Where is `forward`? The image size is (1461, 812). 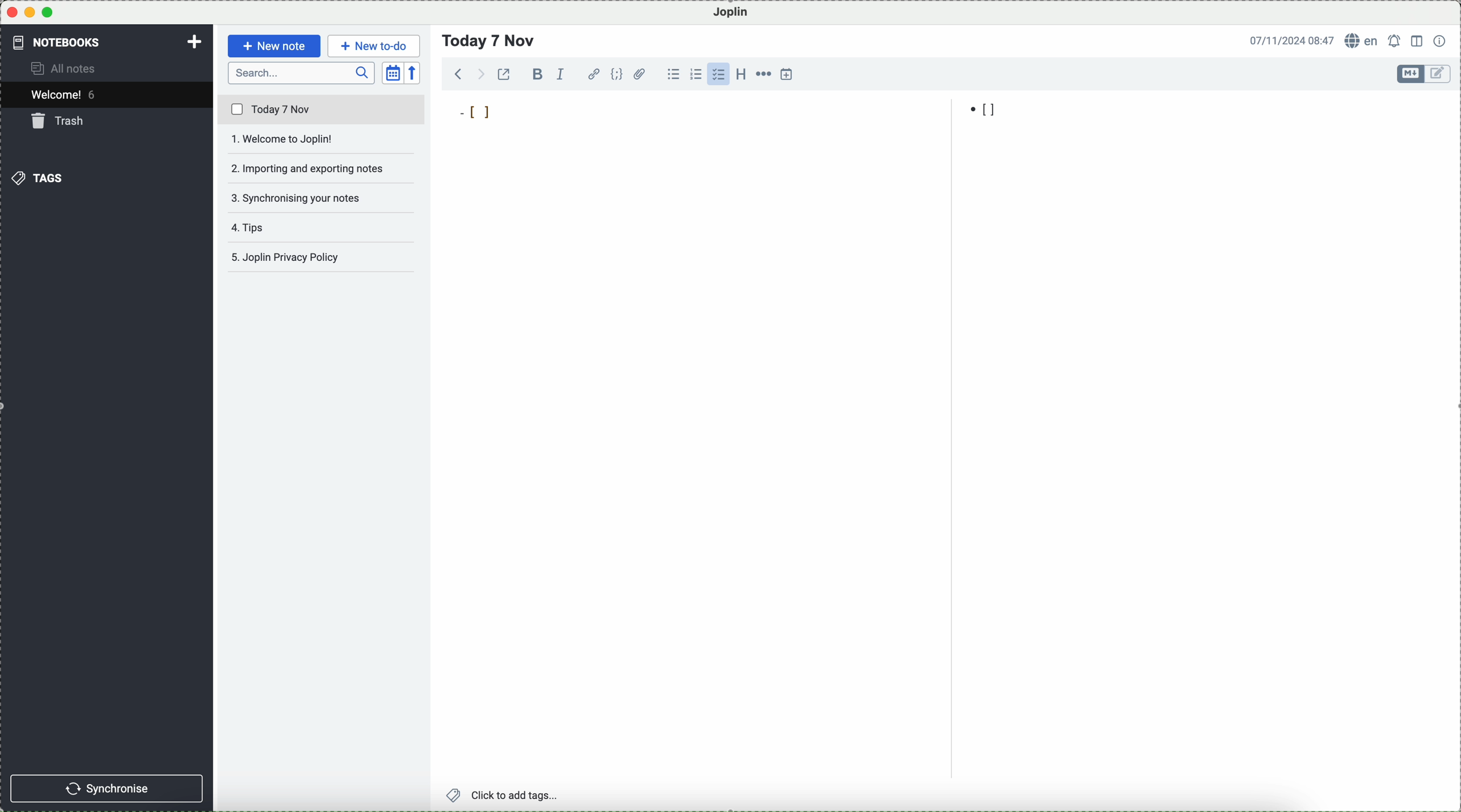 forward is located at coordinates (479, 74).